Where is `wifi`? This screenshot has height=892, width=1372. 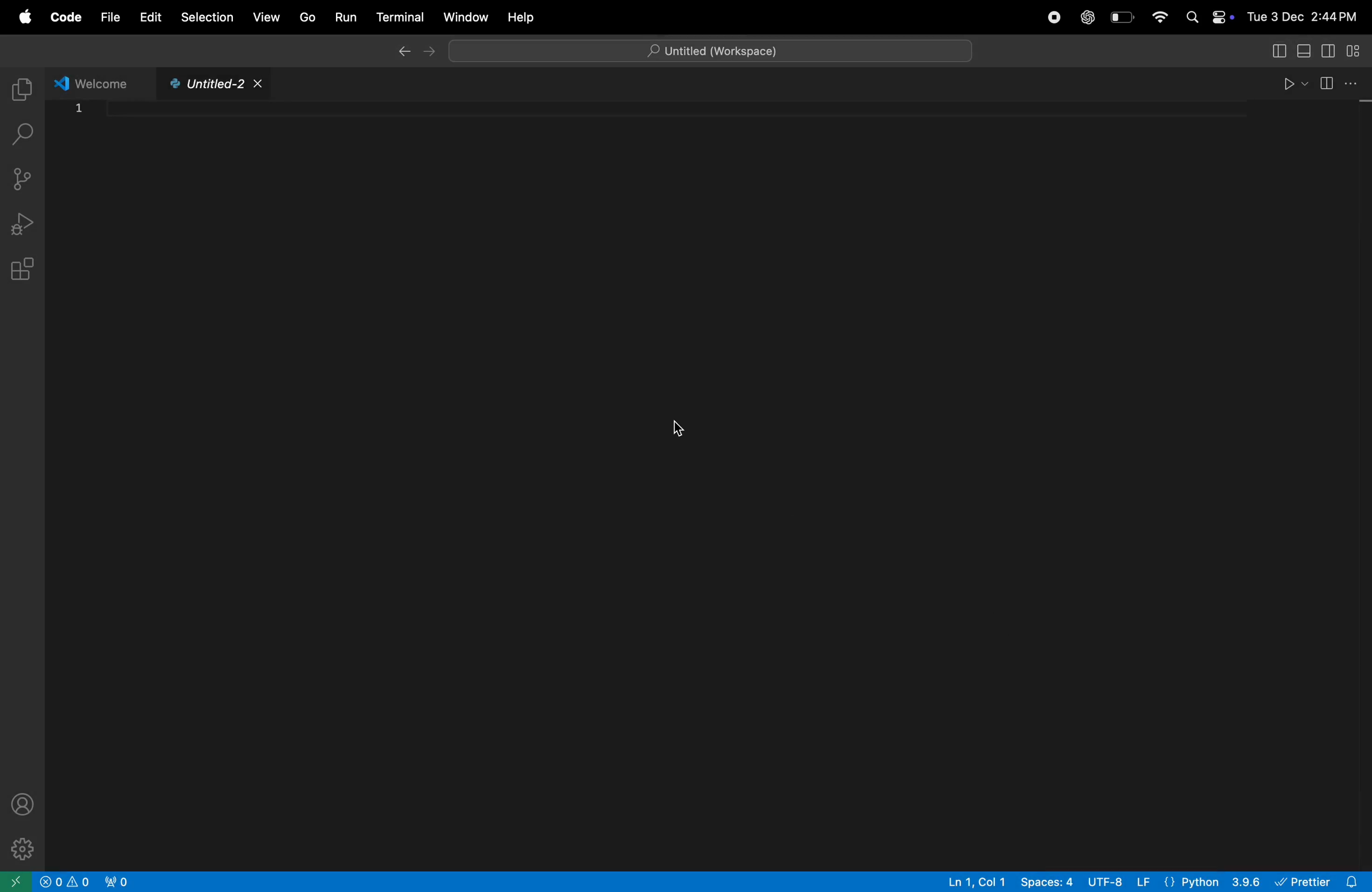 wifi is located at coordinates (1159, 18).